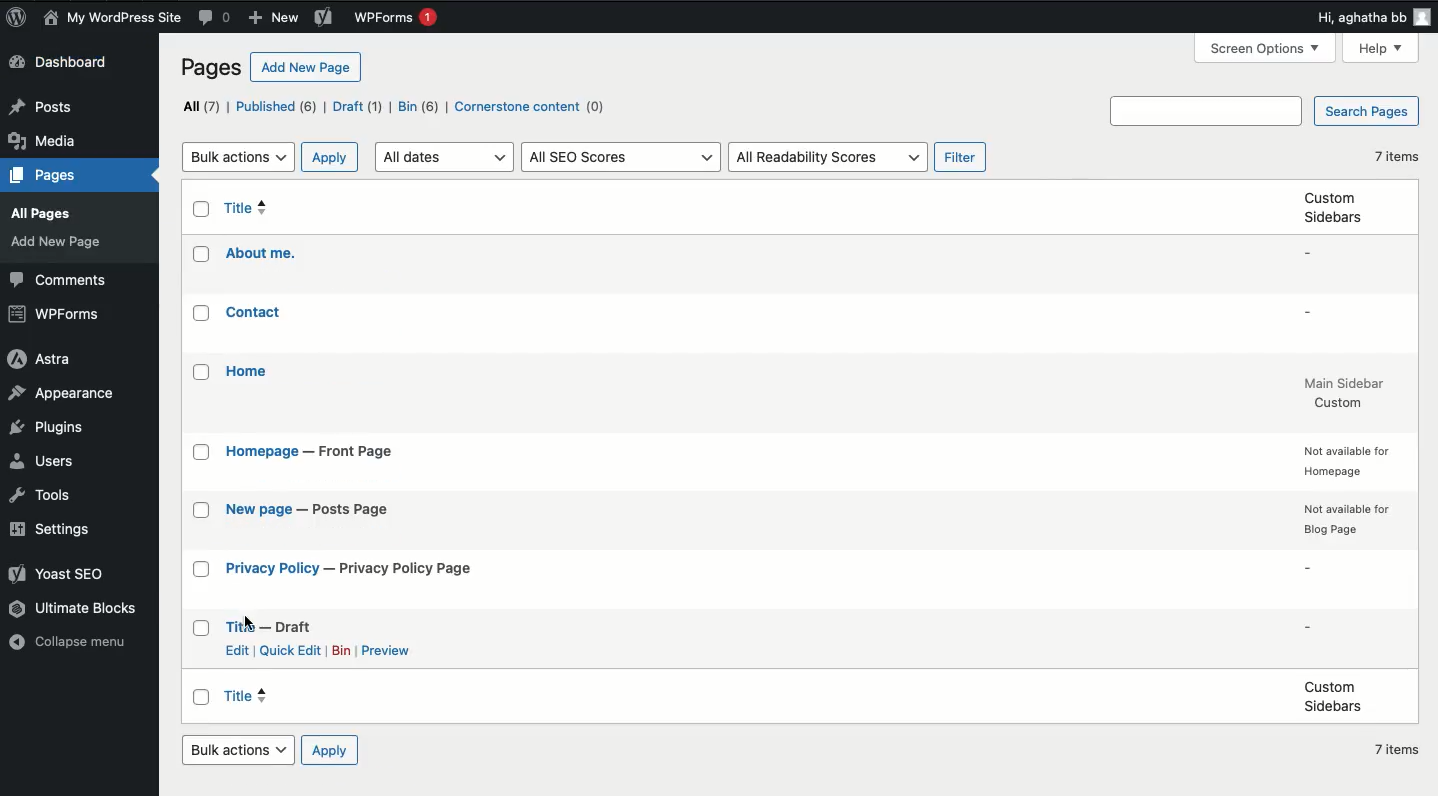 The height and width of the screenshot is (796, 1438). I want to click on Checkbox, so click(202, 629).